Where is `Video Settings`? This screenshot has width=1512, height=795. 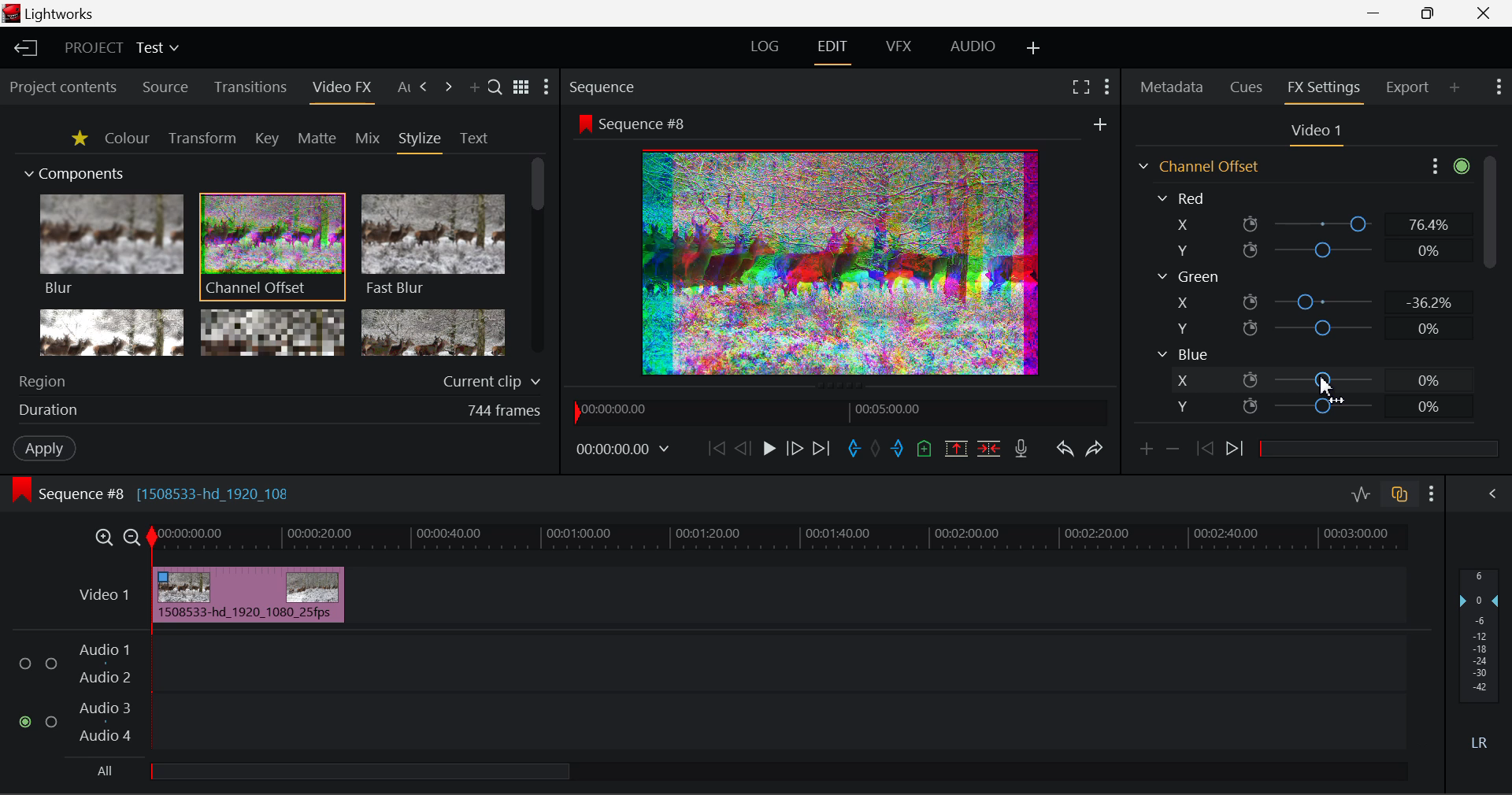
Video Settings is located at coordinates (1314, 134).